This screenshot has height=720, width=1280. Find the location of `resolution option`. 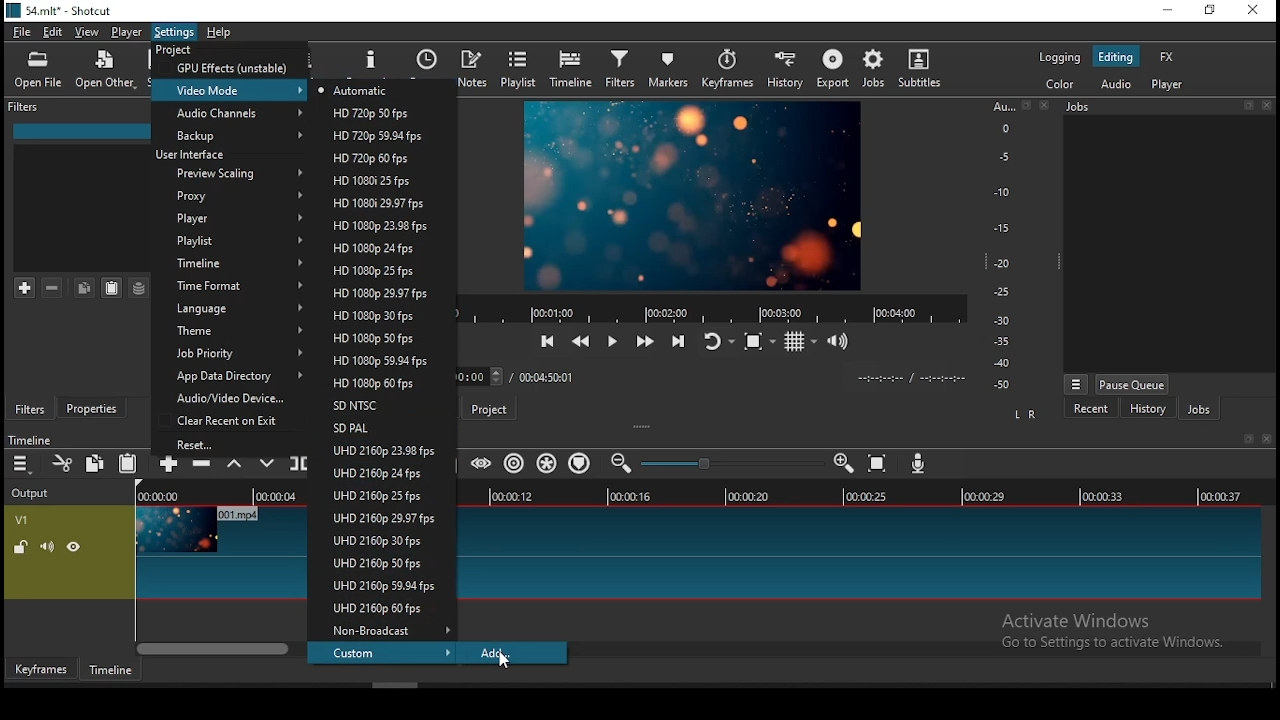

resolution option is located at coordinates (383, 588).